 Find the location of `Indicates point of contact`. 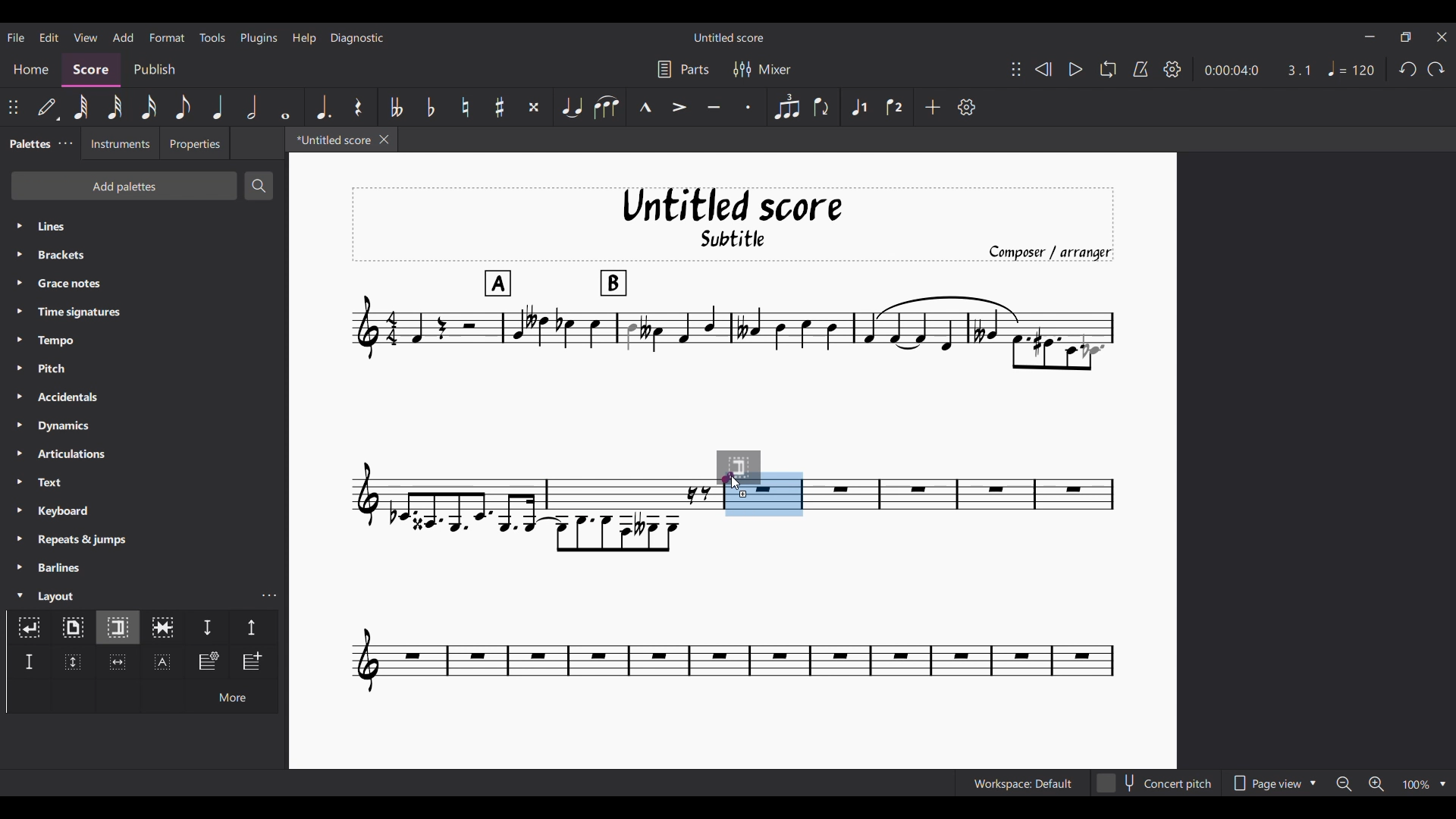

Indicates point of contact is located at coordinates (728, 477).